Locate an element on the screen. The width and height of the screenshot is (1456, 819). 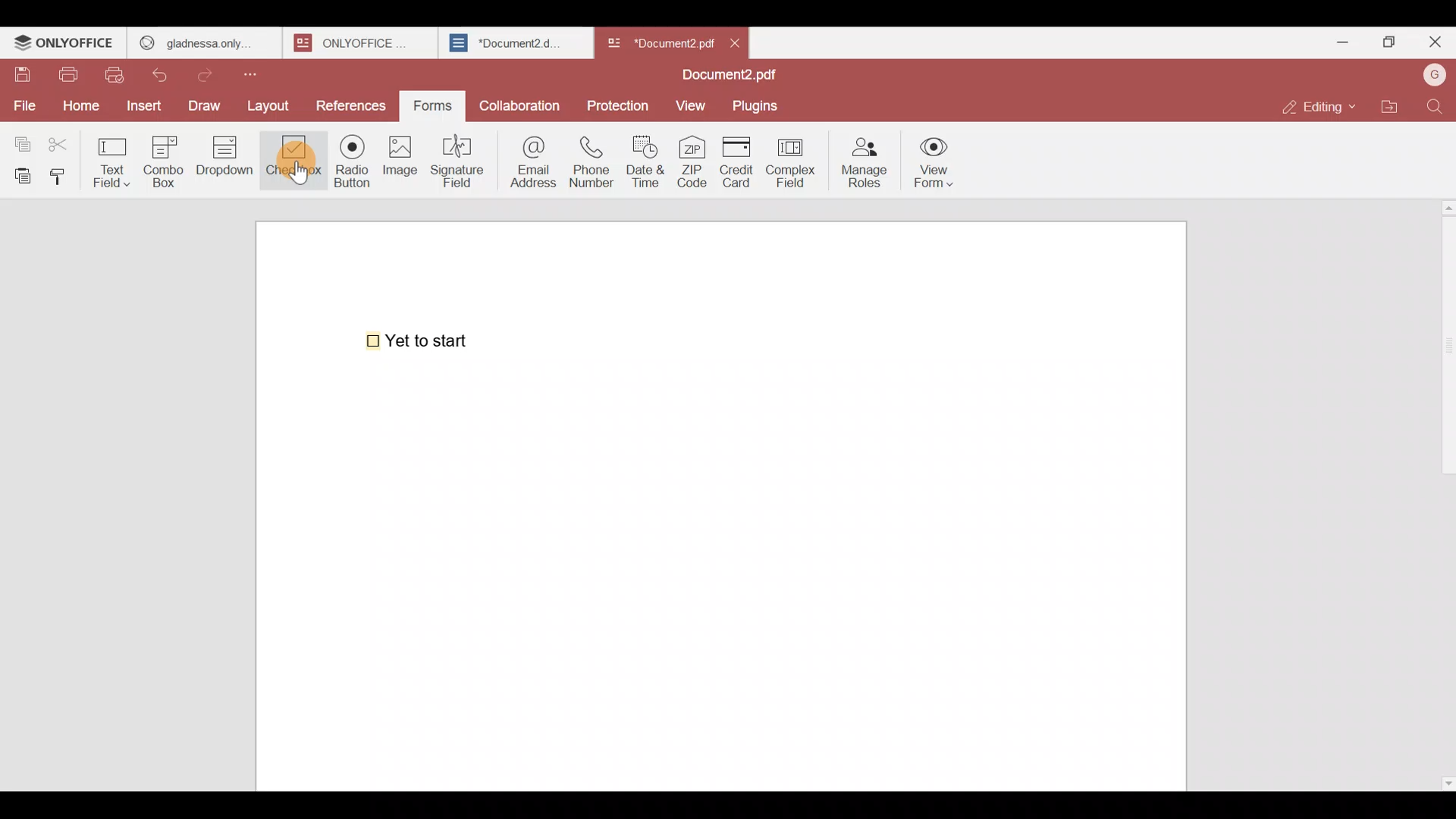
Editing mode is located at coordinates (1316, 107).